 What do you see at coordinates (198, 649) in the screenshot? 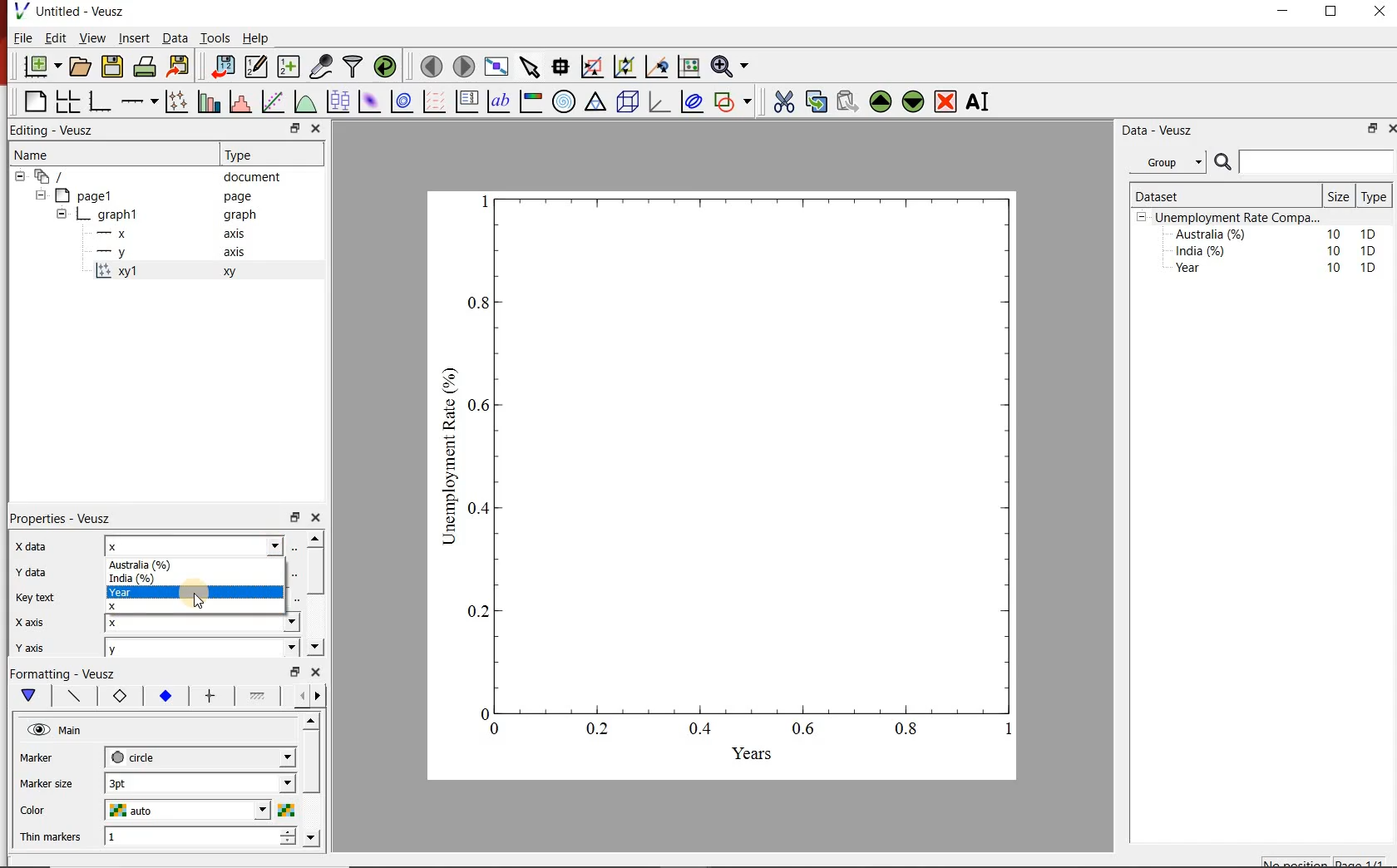
I see `y` at bounding box center [198, 649].